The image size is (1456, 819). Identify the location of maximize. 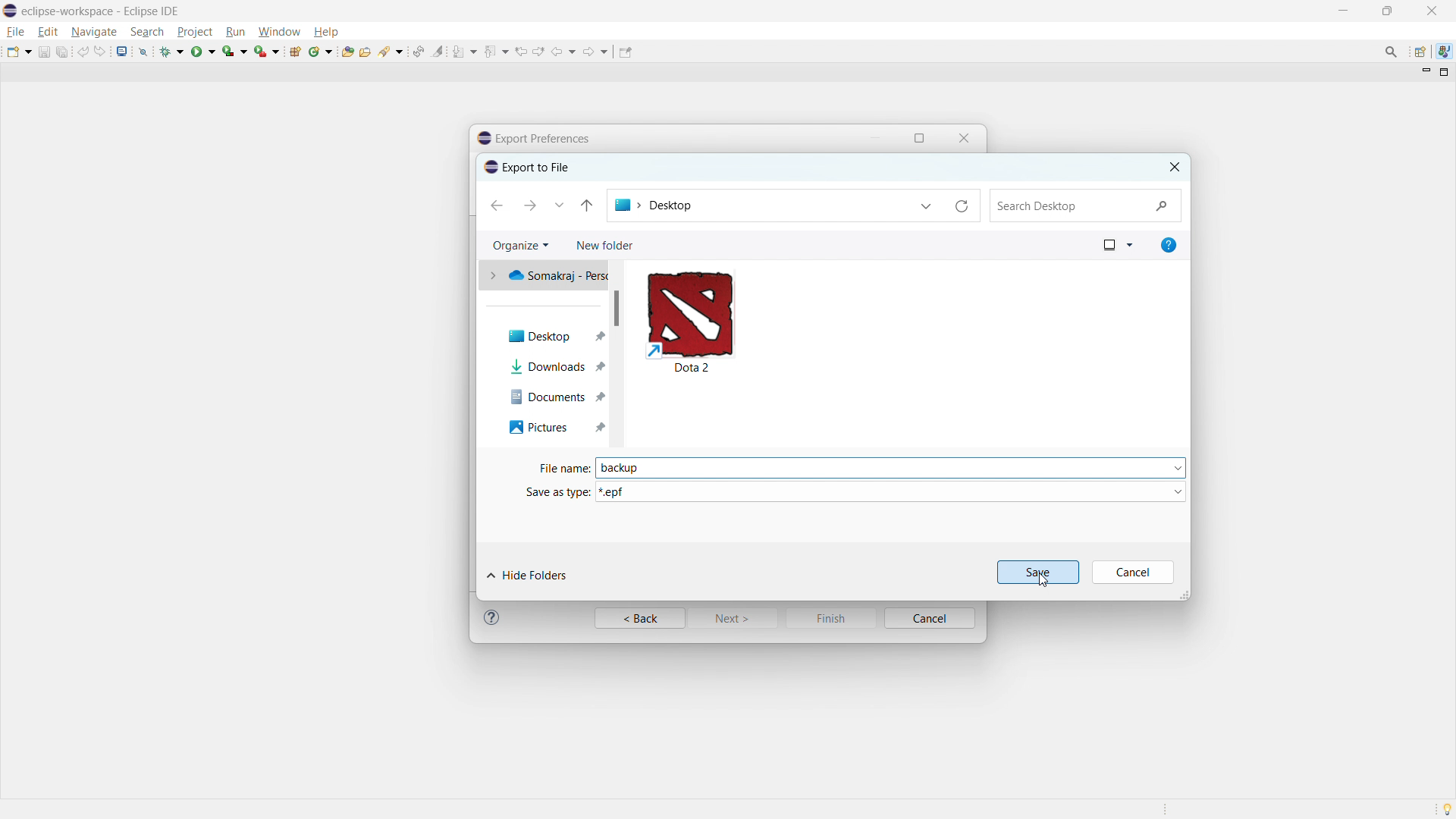
(1387, 11).